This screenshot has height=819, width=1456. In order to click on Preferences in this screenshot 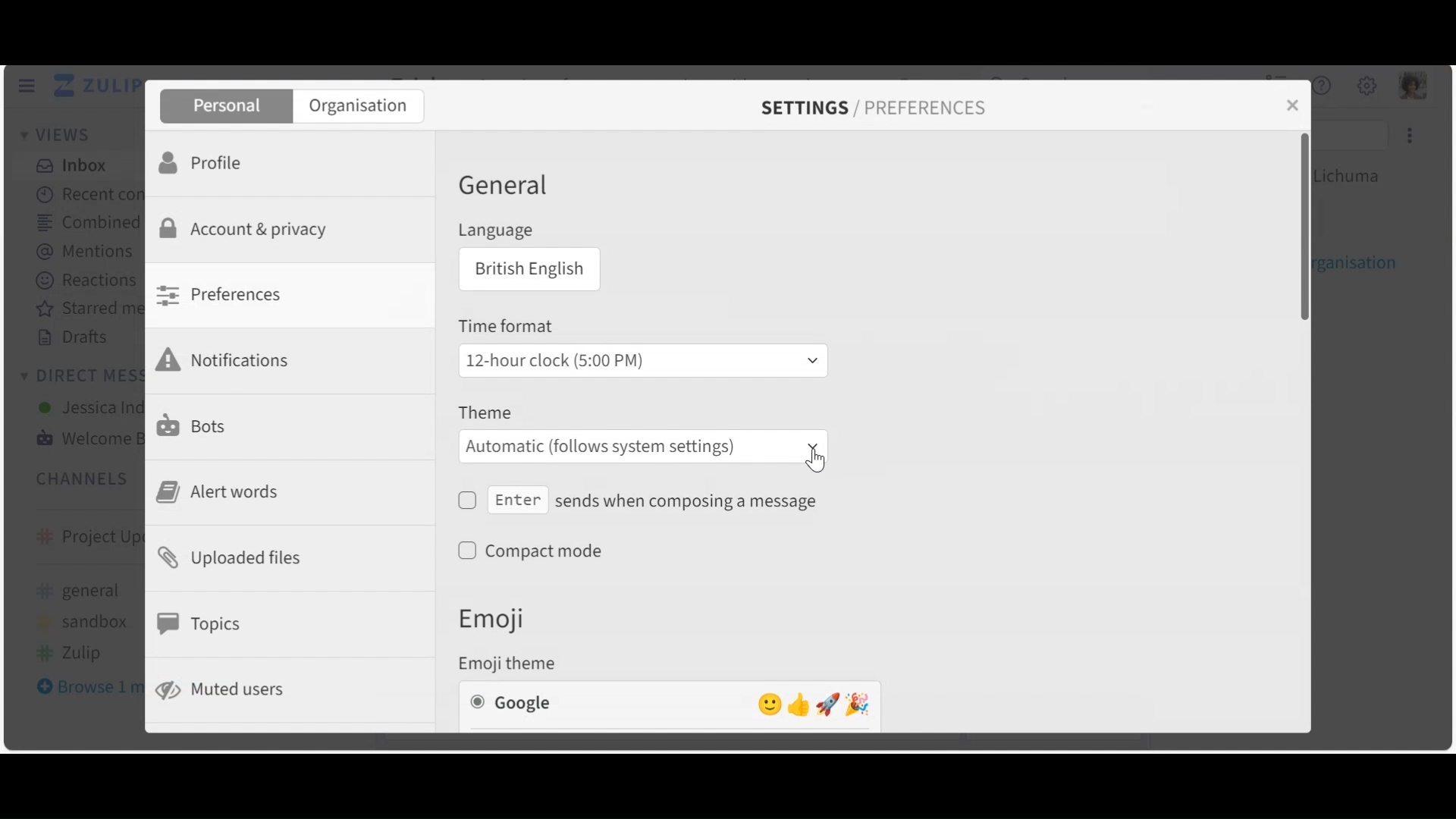, I will do `click(224, 294)`.